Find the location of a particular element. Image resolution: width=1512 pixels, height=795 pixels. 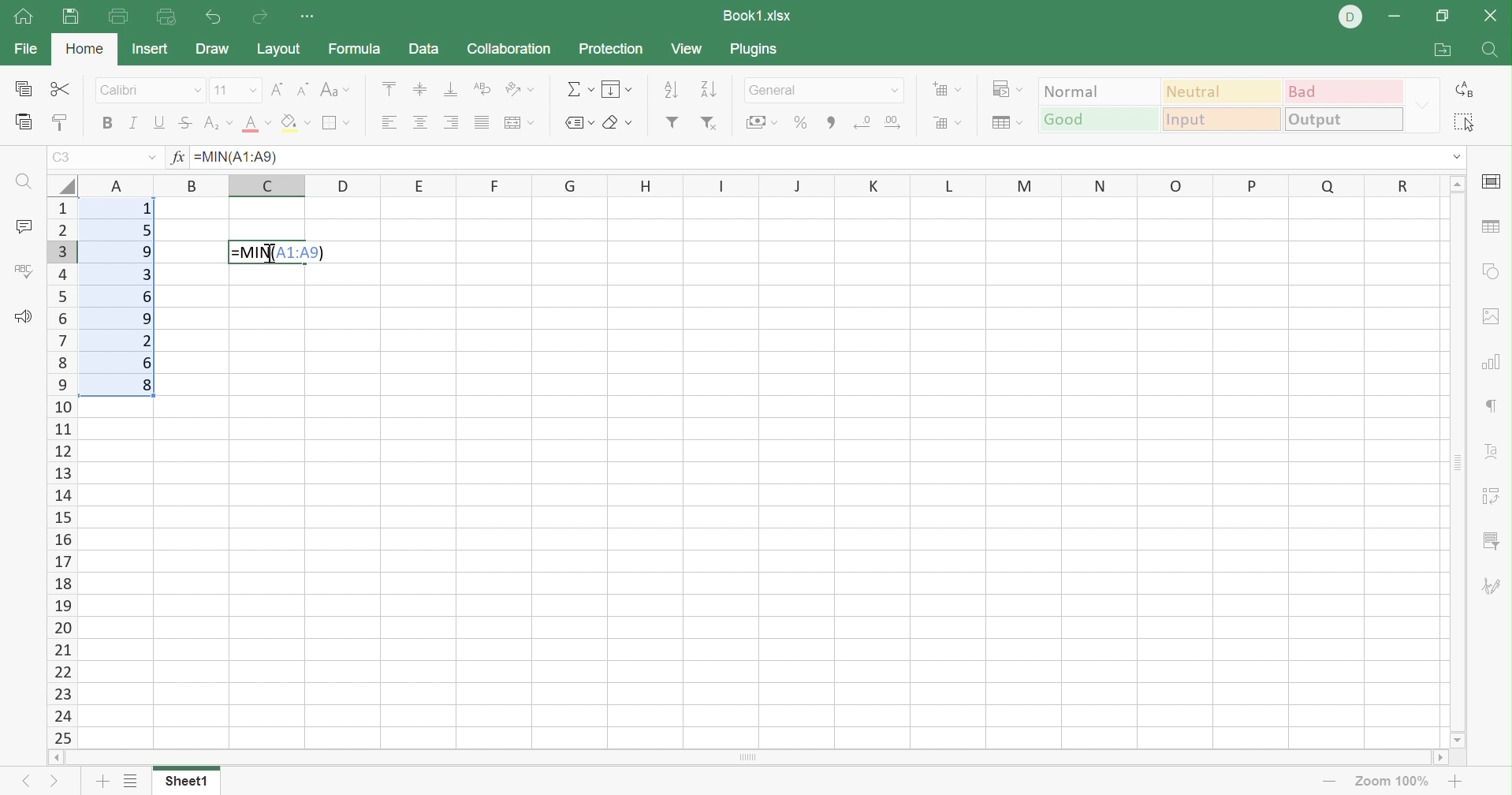

Clear is located at coordinates (622, 121).